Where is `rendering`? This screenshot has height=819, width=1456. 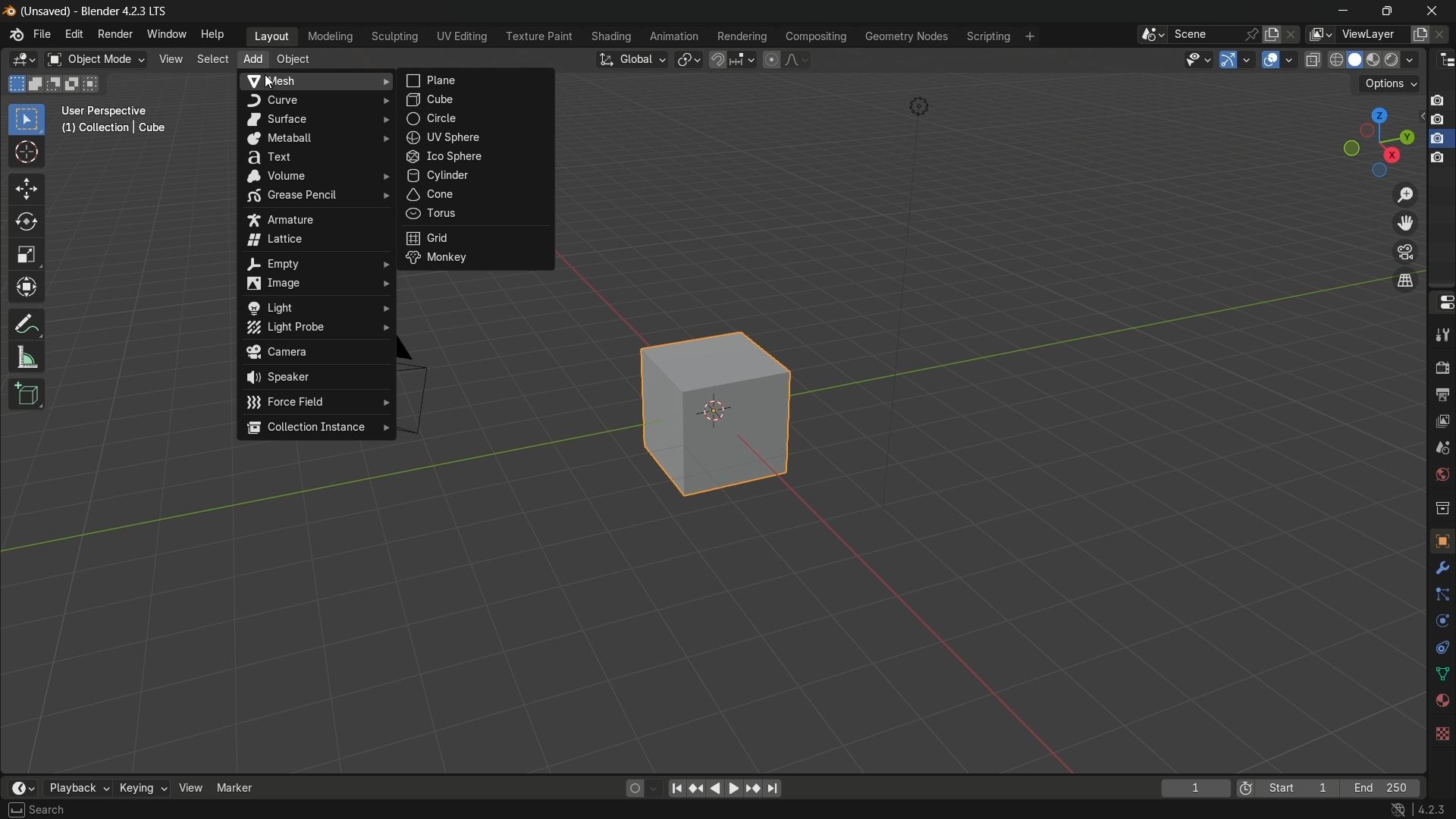
rendering is located at coordinates (742, 37).